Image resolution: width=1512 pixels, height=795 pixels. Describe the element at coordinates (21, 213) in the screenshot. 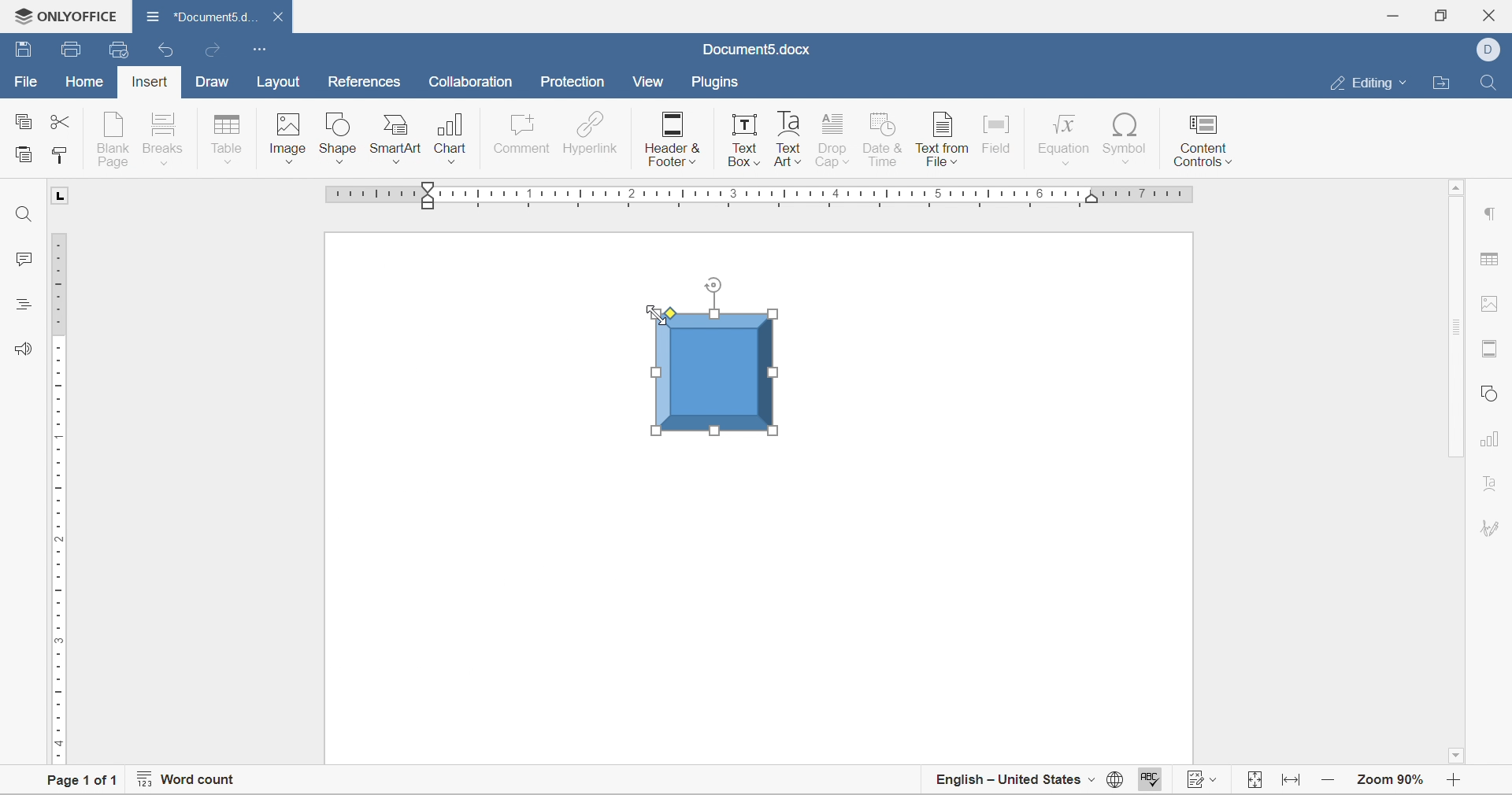

I see `find` at that location.